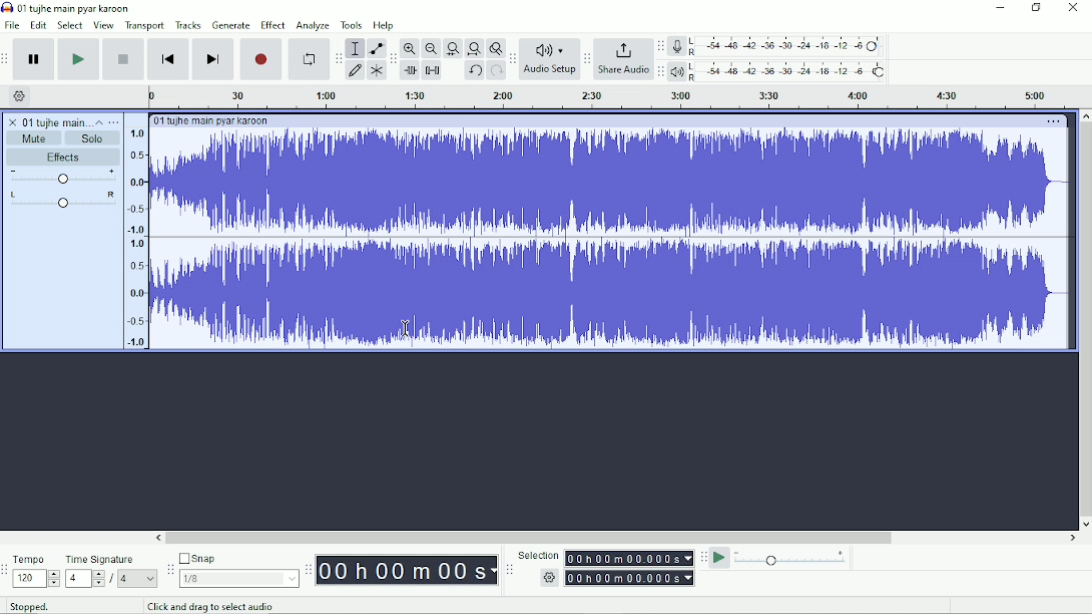 The height and width of the screenshot is (614, 1092). Describe the element at coordinates (430, 48) in the screenshot. I see `Zoom Out` at that location.